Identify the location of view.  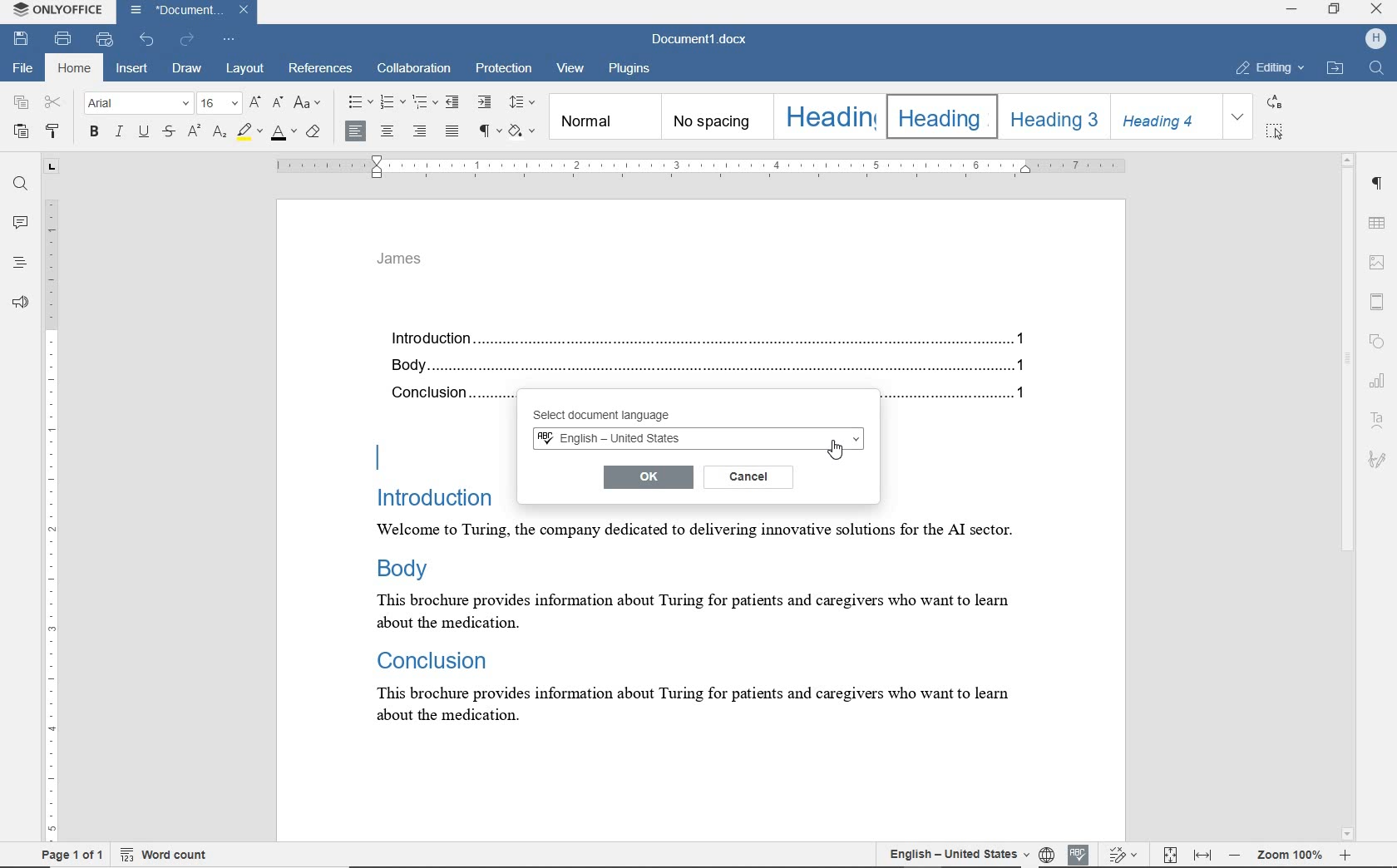
(573, 71).